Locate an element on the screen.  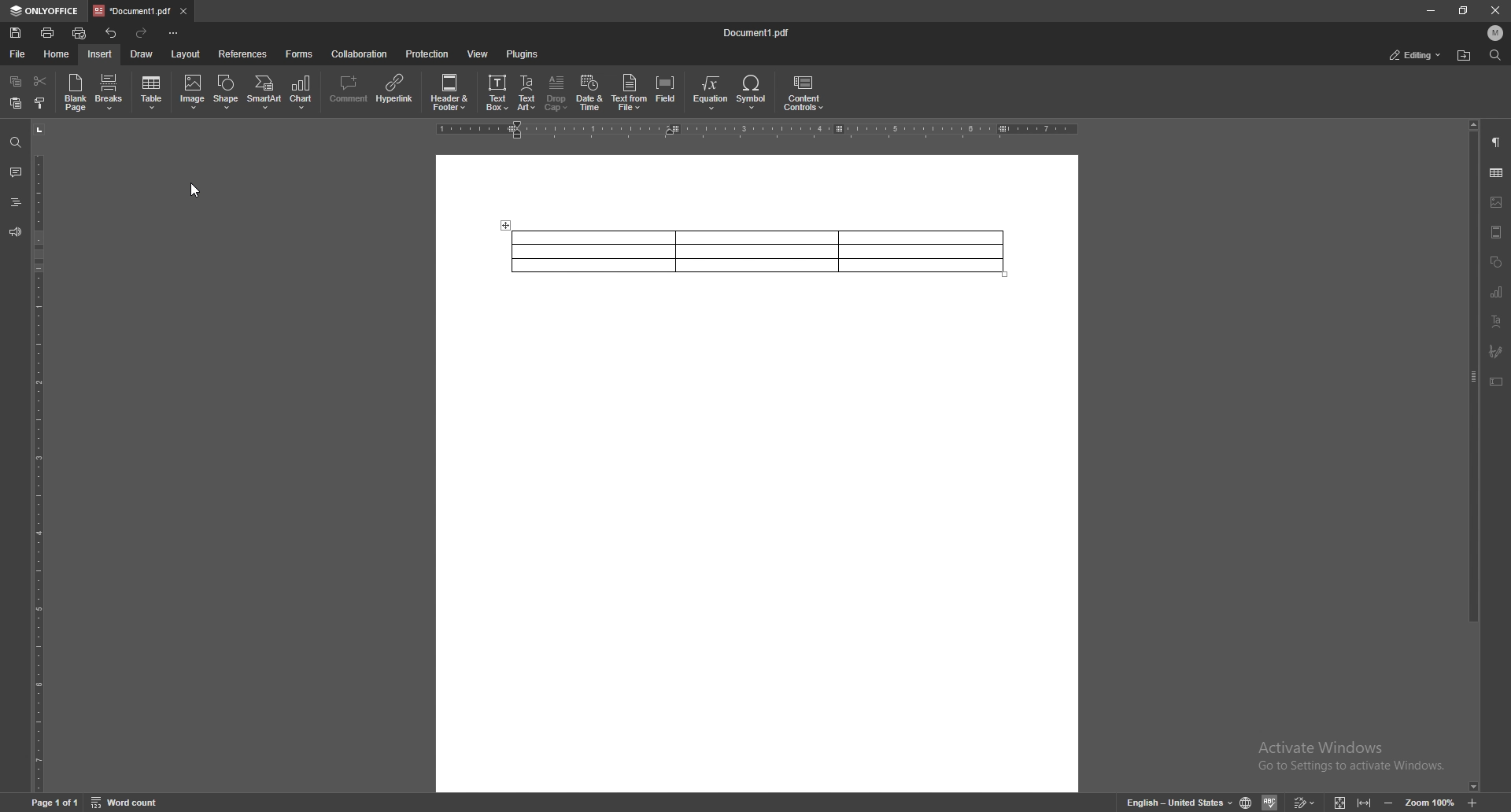
spell check is located at coordinates (1271, 801).